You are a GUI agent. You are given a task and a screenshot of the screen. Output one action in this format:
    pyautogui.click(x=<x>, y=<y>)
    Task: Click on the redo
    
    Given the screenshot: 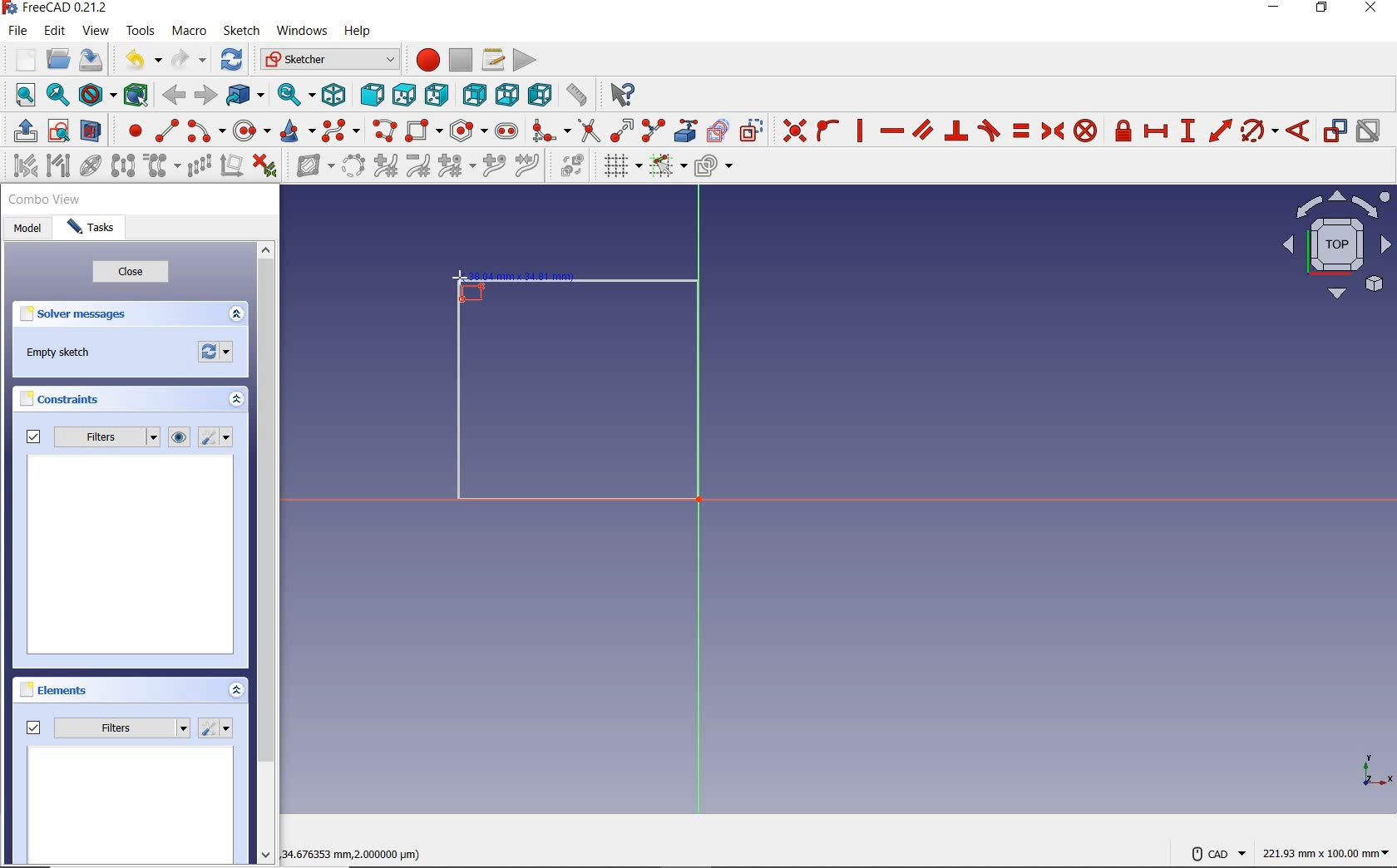 What is the action you would take?
    pyautogui.click(x=189, y=60)
    